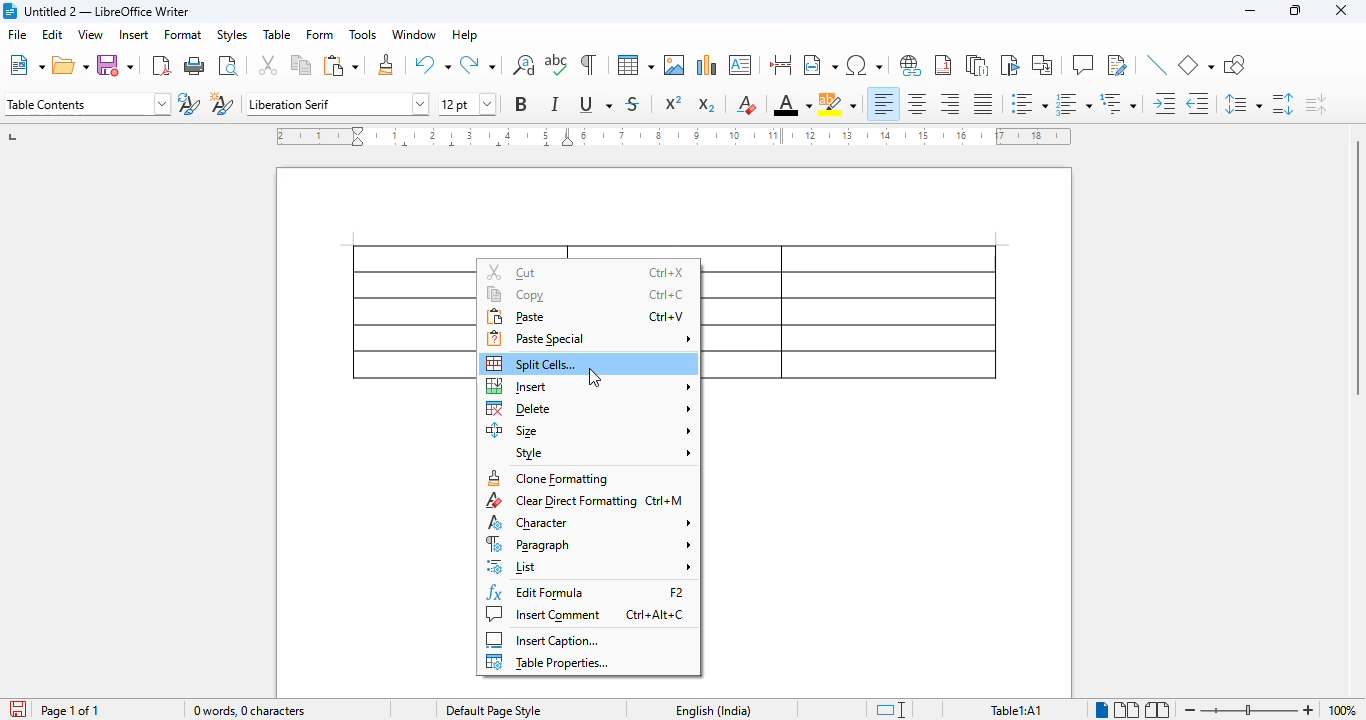  What do you see at coordinates (555, 104) in the screenshot?
I see `italic` at bounding box center [555, 104].